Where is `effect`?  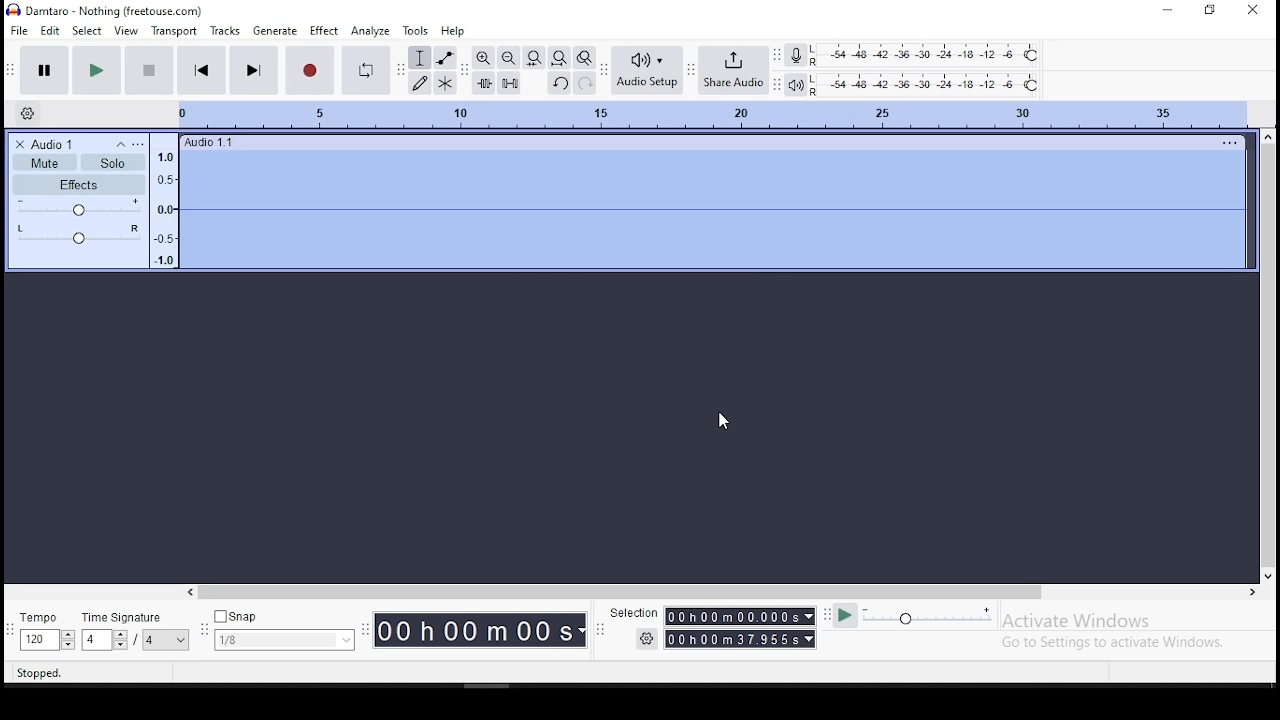 effect is located at coordinates (325, 31).